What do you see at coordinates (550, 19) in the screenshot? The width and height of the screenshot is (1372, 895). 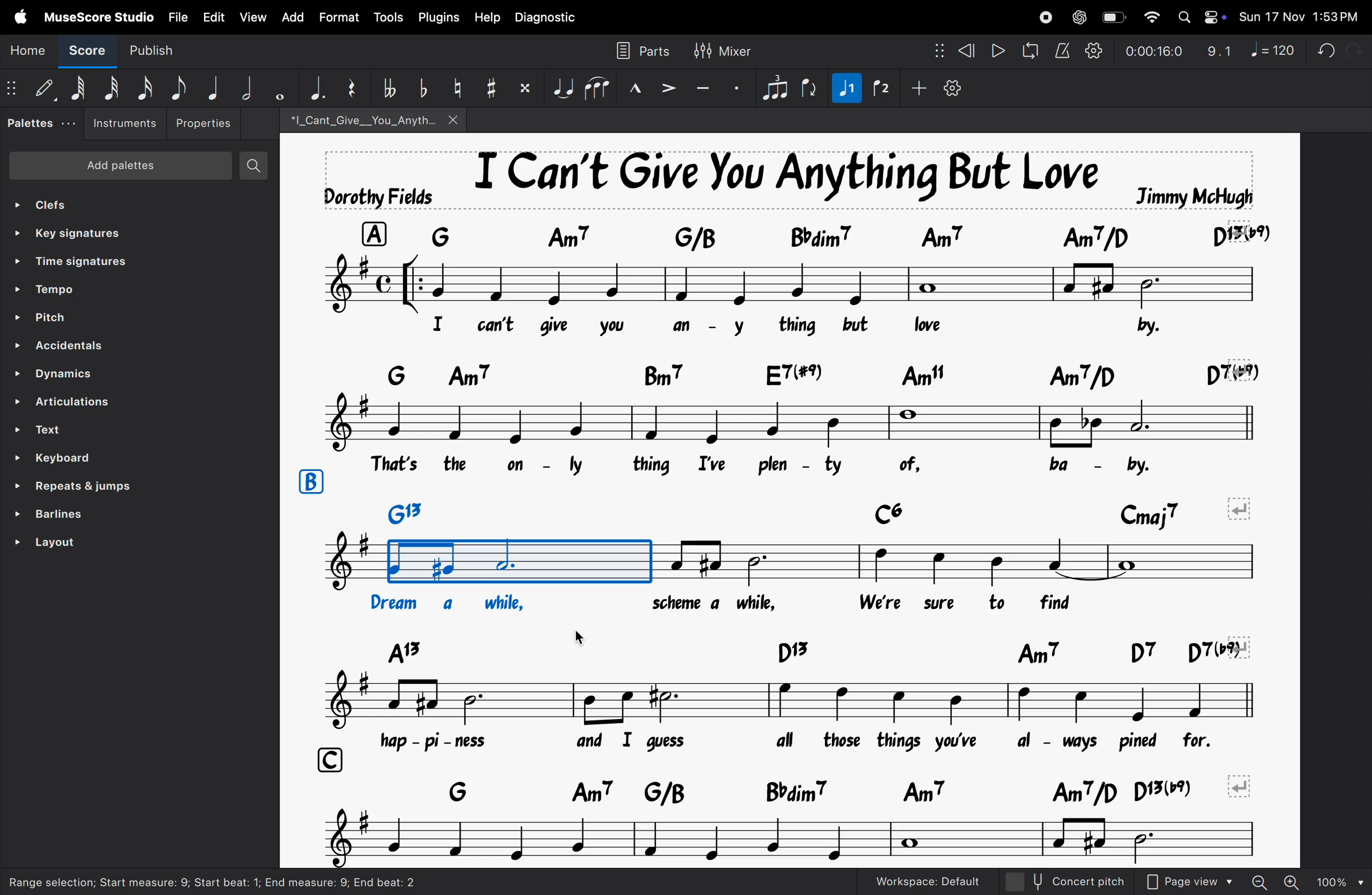 I see `diagnostic` at bounding box center [550, 19].